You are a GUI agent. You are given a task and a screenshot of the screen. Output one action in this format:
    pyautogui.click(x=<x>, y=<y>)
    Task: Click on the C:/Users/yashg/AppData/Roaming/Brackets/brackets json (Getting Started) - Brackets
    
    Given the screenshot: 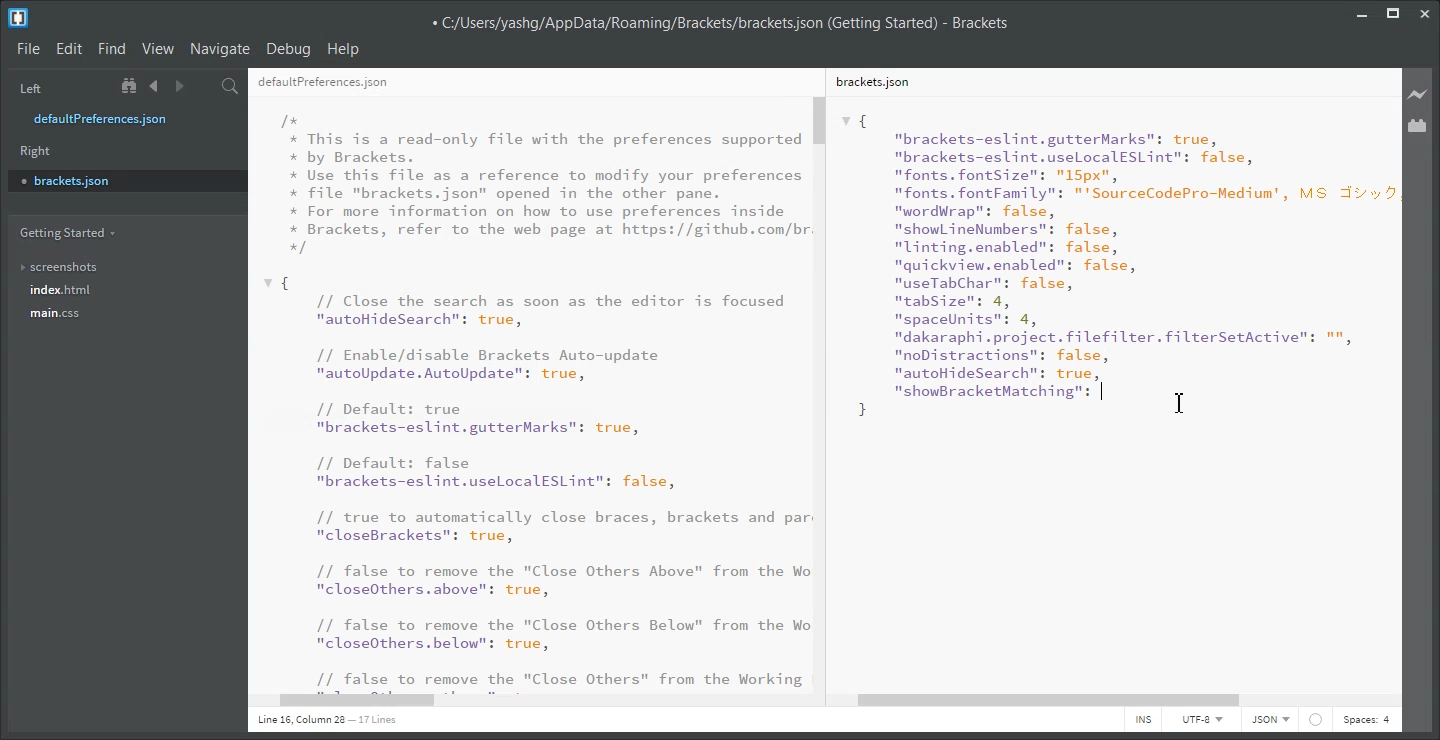 What is the action you would take?
    pyautogui.click(x=719, y=21)
    